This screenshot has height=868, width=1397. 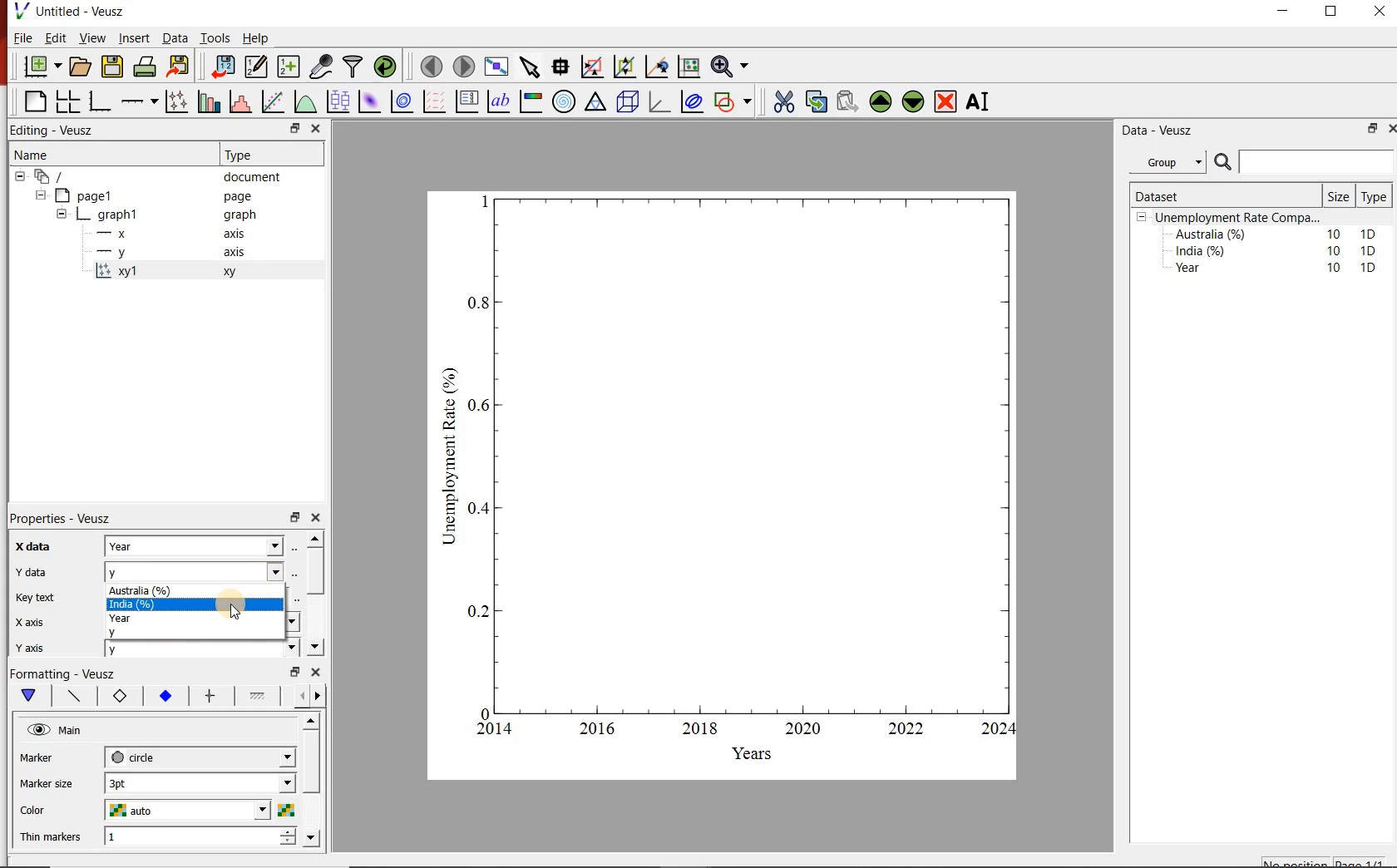 I want to click on select the items, so click(x=531, y=65).